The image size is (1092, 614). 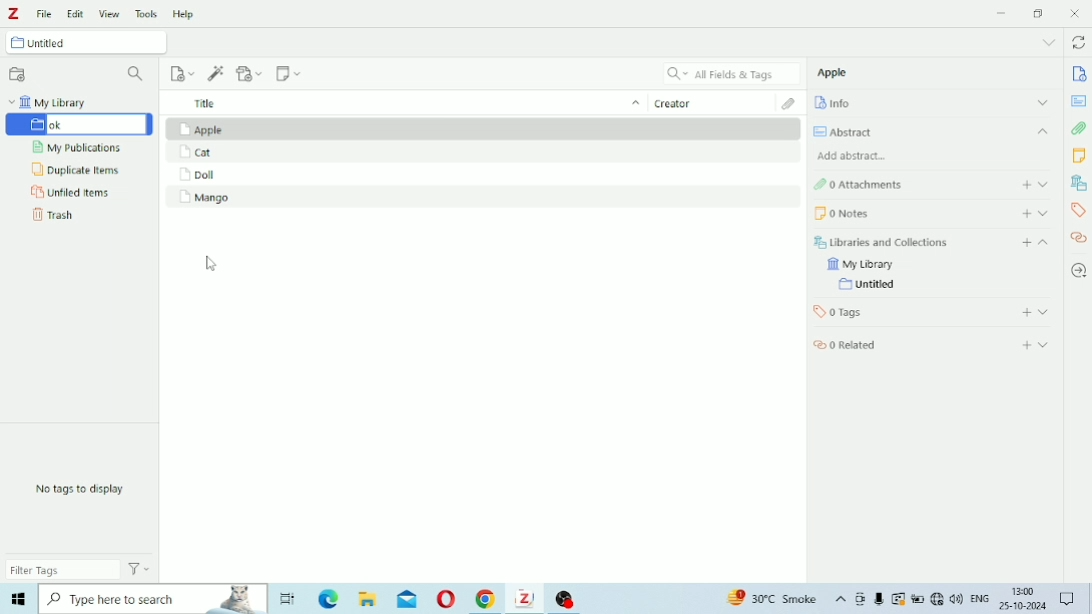 What do you see at coordinates (1022, 598) in the screenshot?
I see `` at bounding box center [1022, 598].